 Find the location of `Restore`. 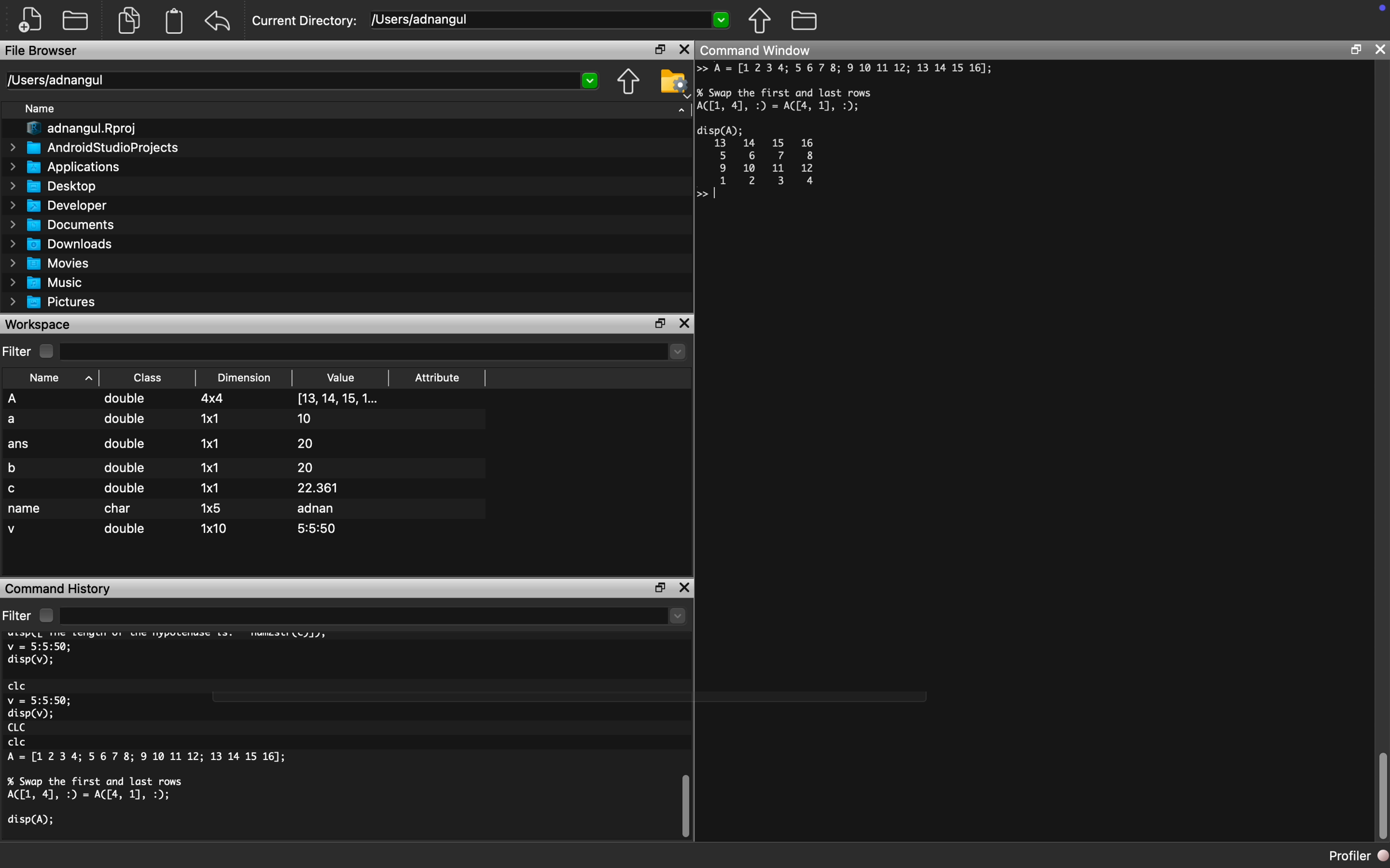

Restore is located at coordinates (658, 49).